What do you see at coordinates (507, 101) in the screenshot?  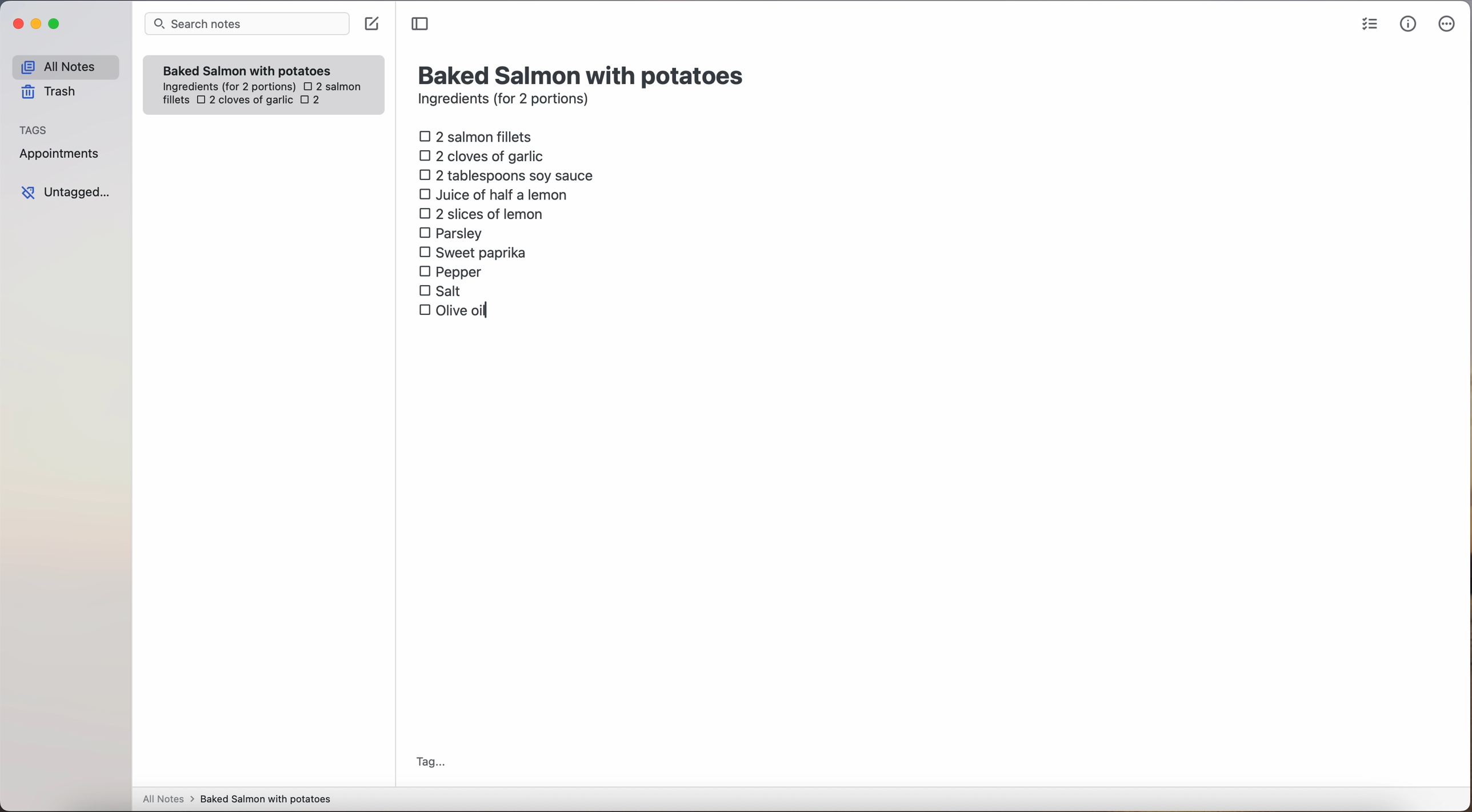 I see `ingredients (for 2 portions)` at bounding box center [507, 101].